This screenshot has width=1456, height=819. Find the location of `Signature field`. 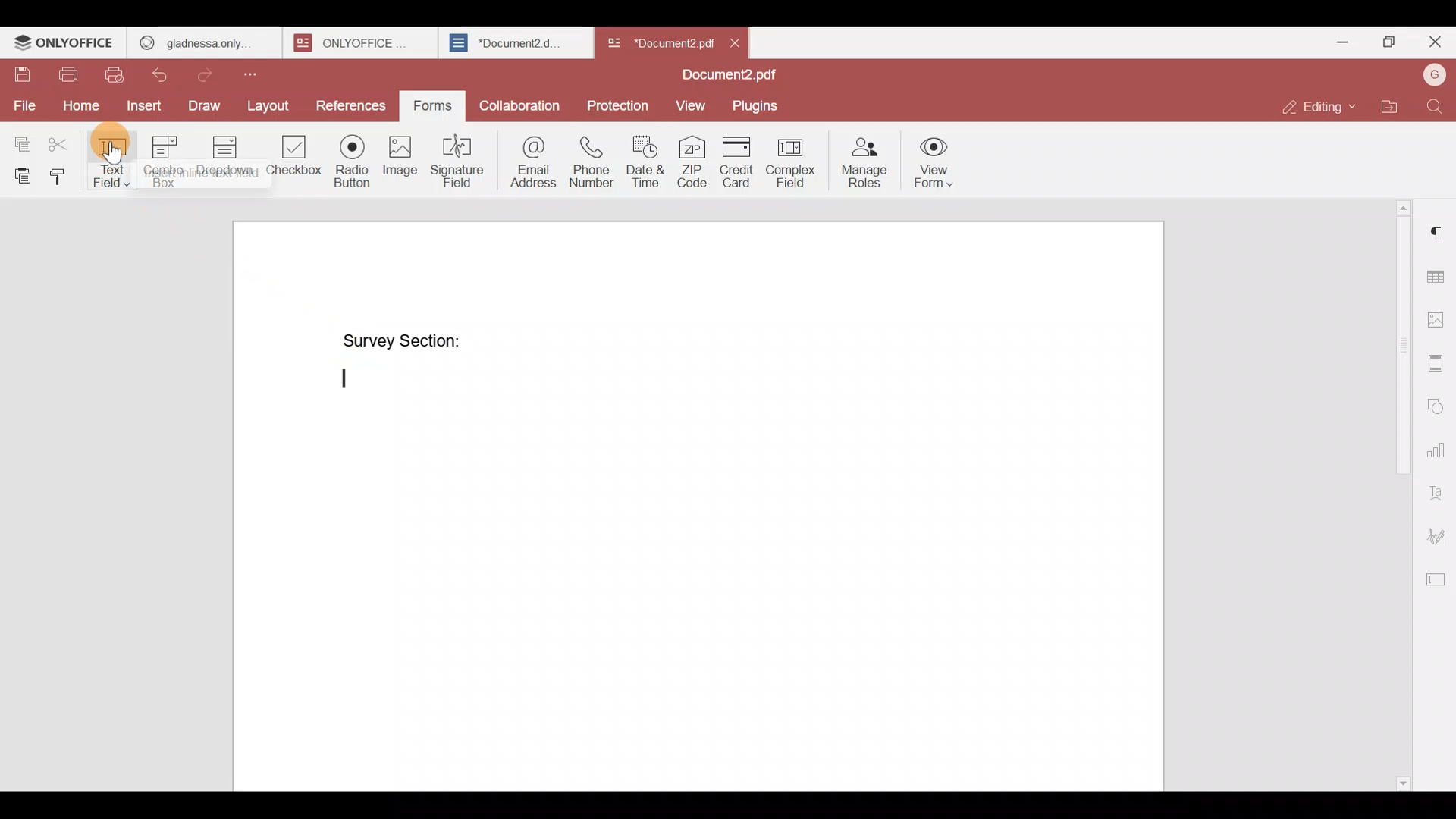

Signature field is located at coordinates (461, 160).